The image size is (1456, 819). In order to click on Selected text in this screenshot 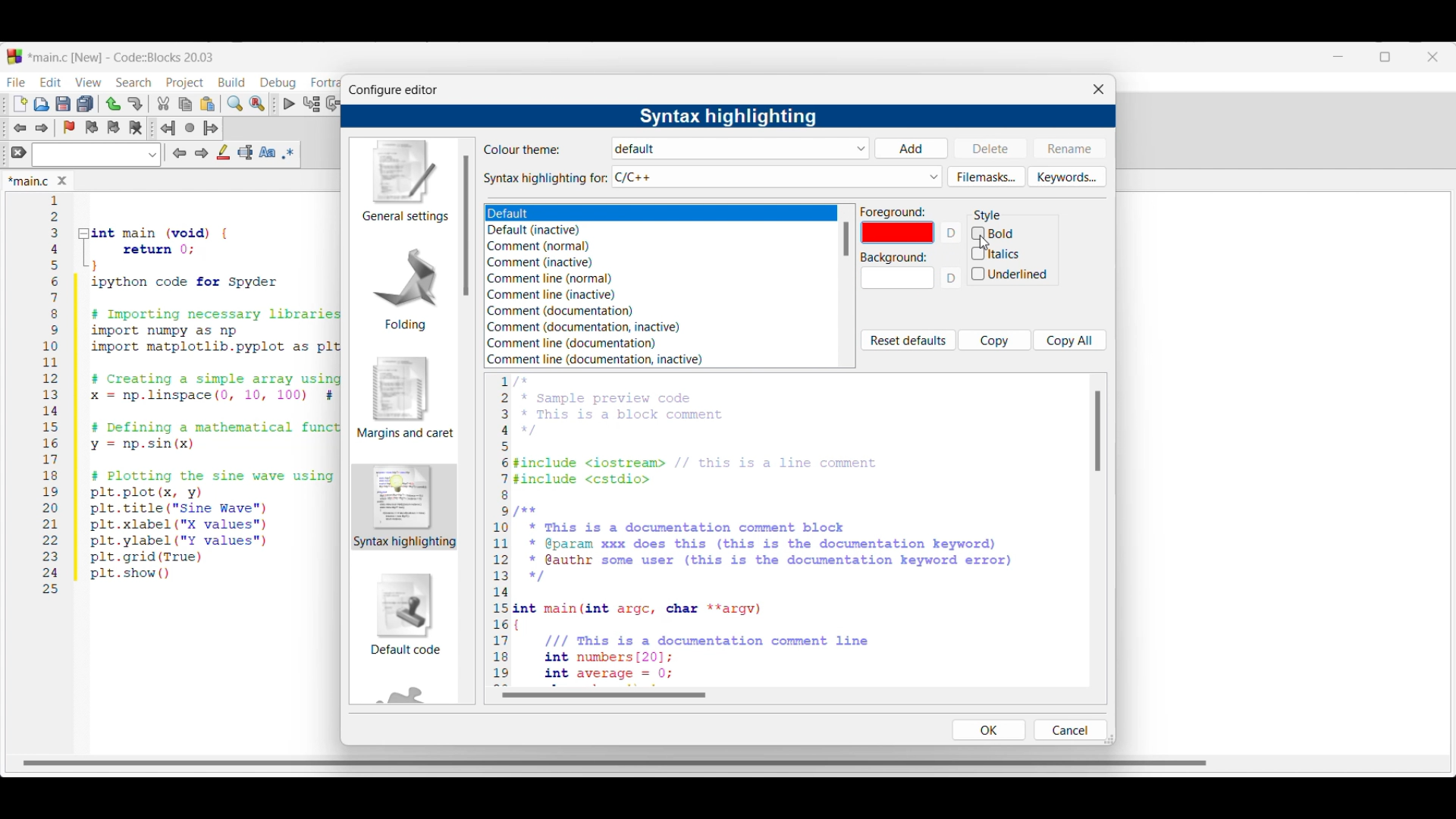, I will do `click(246, 152)`.